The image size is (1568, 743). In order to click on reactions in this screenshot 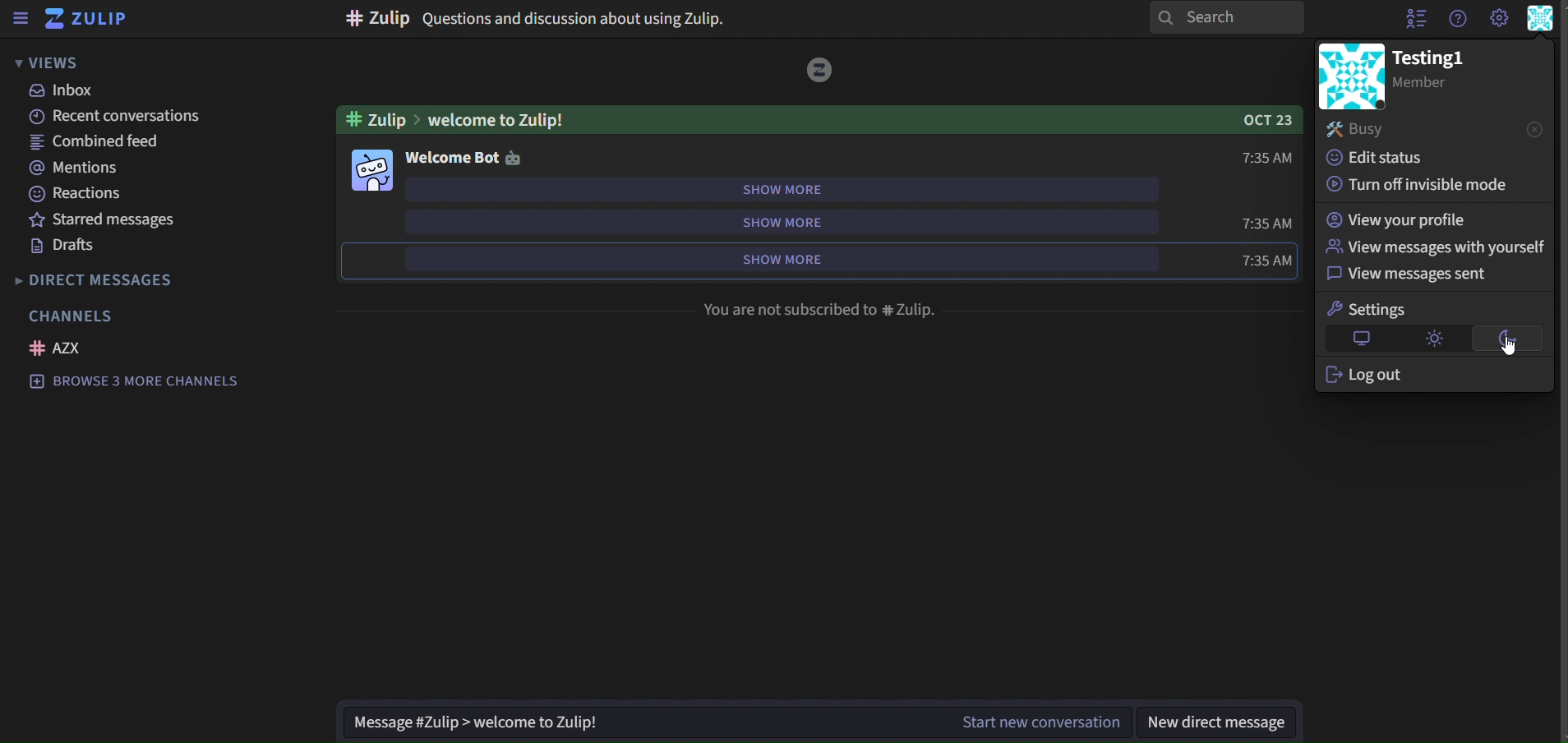, I will do `click(78, 192)`.